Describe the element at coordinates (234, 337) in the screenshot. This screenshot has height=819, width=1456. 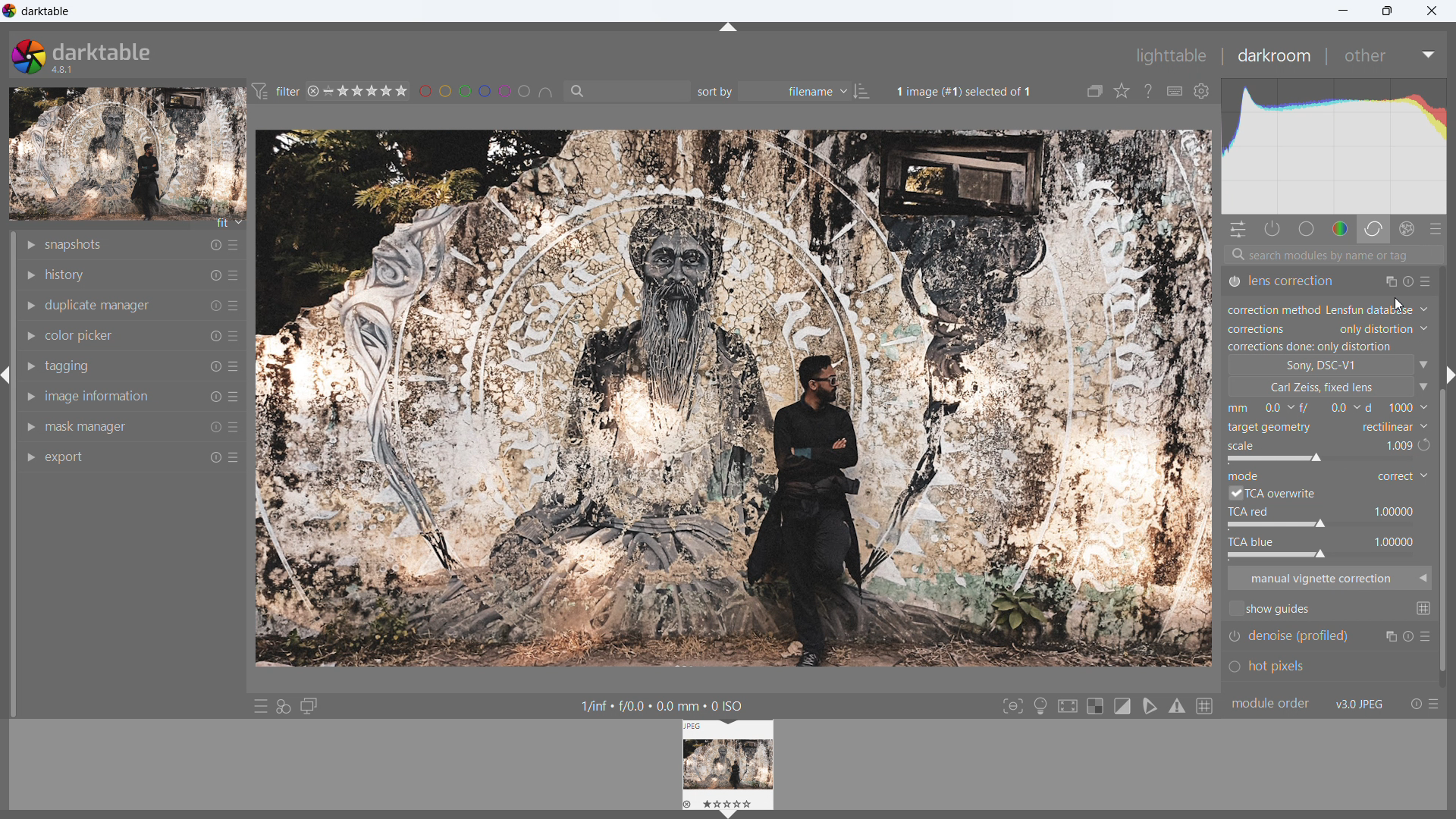
I see `more options` at that location.